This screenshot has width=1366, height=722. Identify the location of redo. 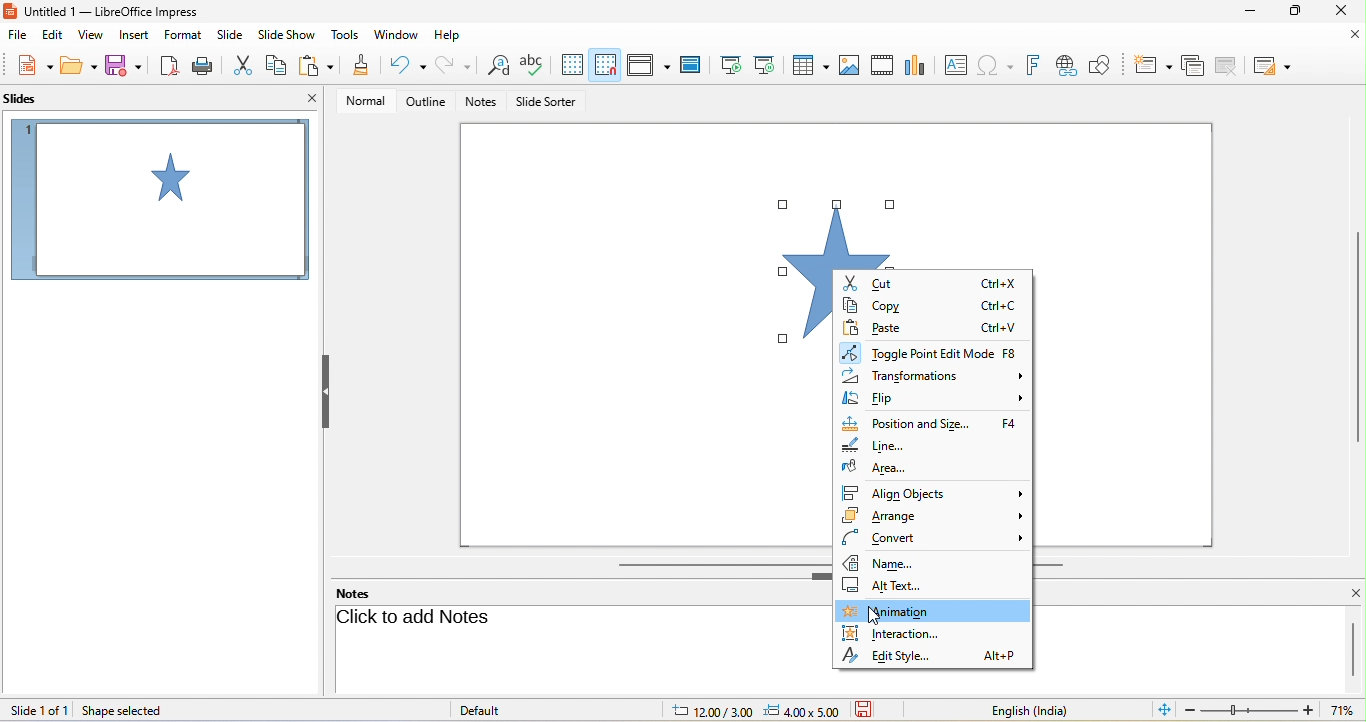
(451, 65).